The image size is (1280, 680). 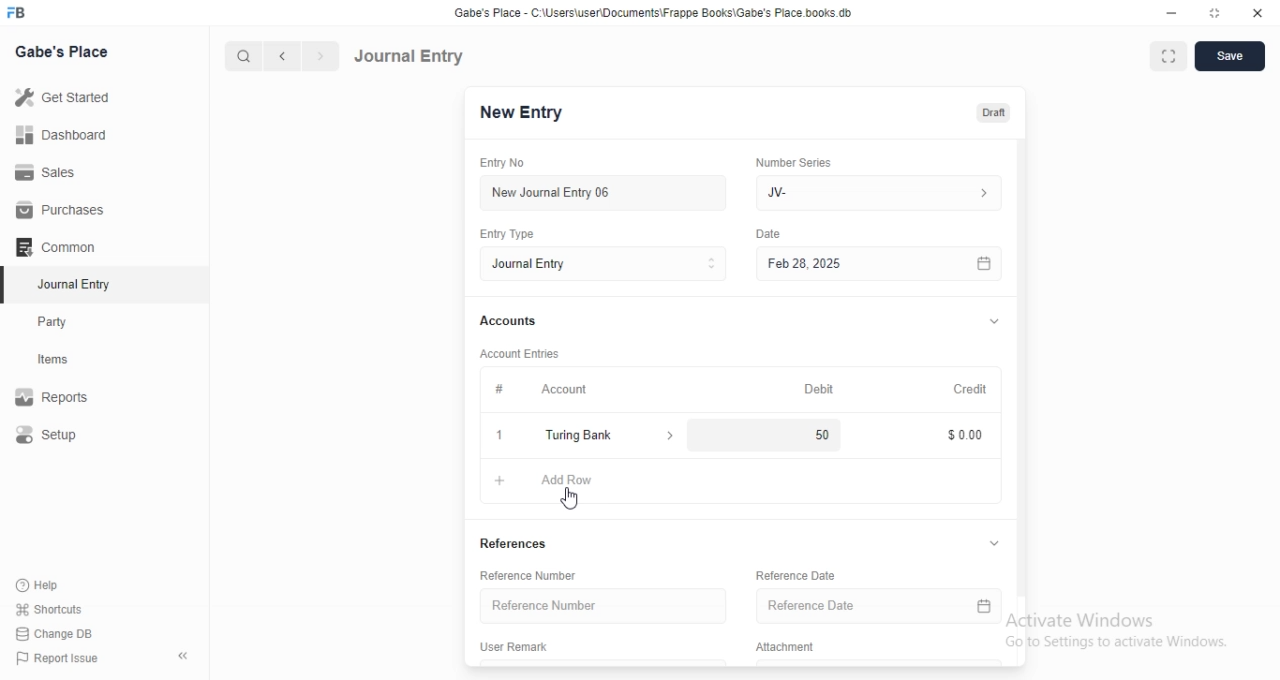 I want to click on Feb 28, 2025, so click(x=860, y=263).